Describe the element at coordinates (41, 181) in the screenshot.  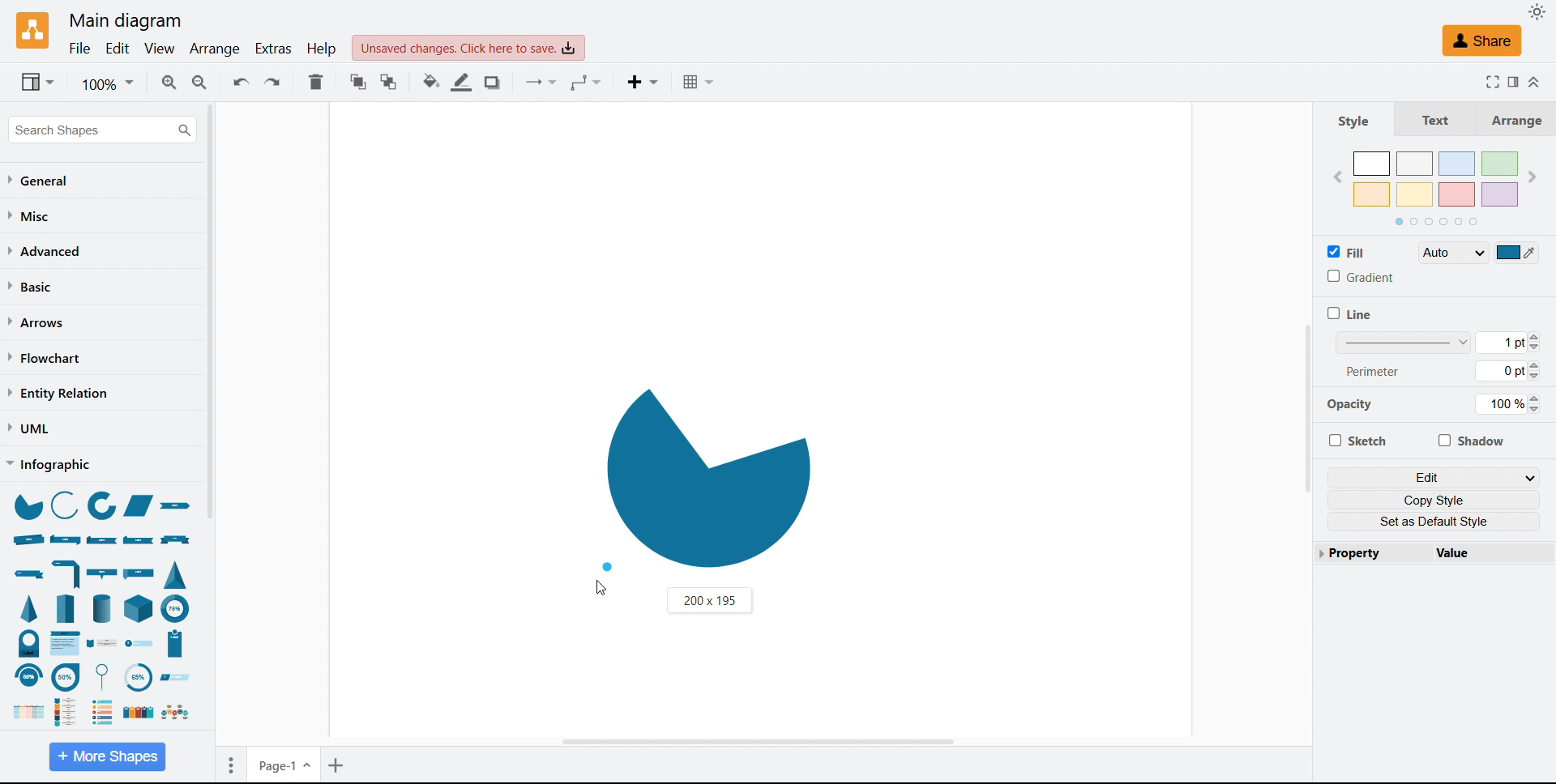
I see `general ` at that location.